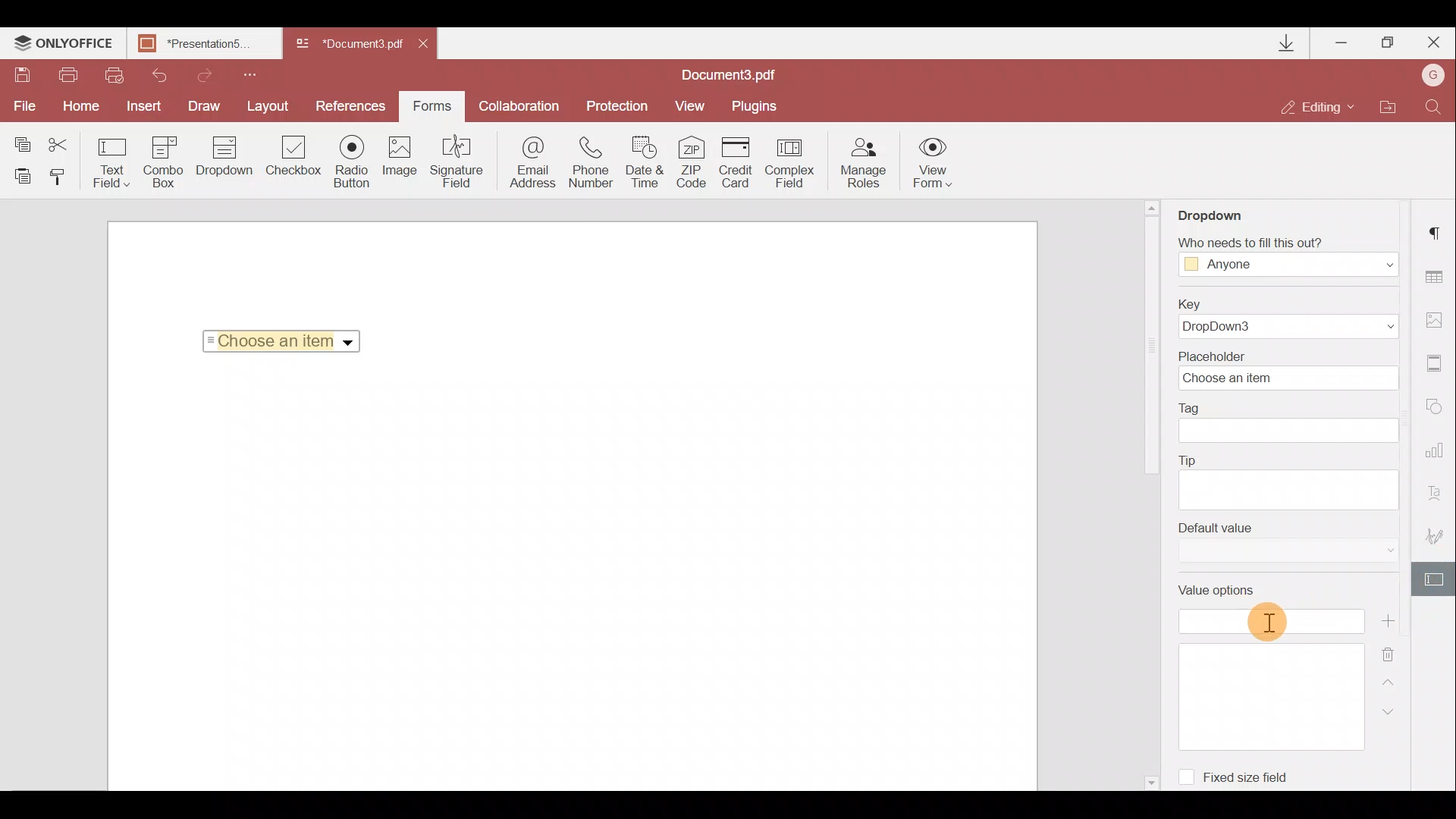  I want to click on Document name, so click(209, 45).